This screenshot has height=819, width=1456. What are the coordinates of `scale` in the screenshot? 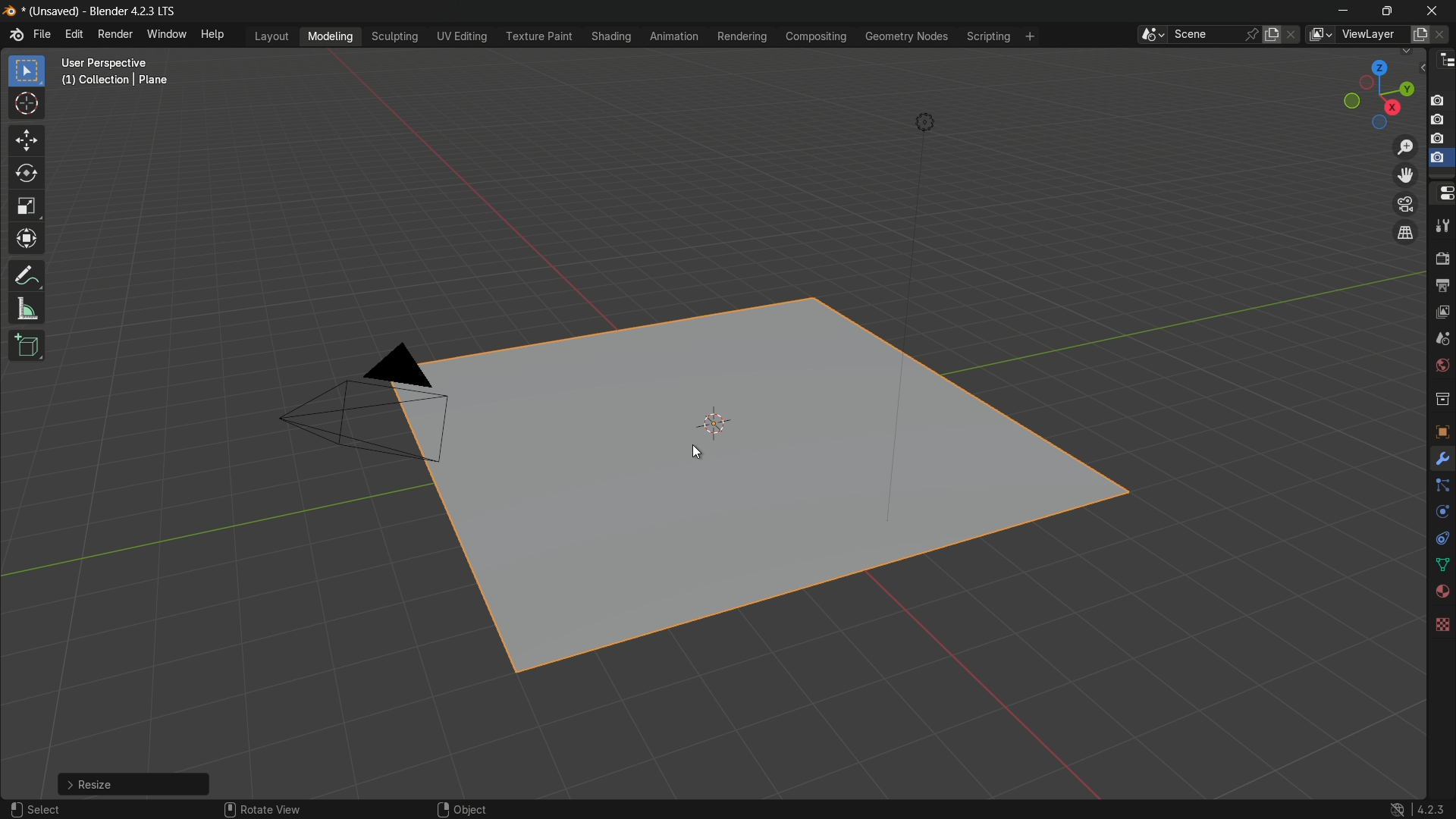 It's located at (27, 209).